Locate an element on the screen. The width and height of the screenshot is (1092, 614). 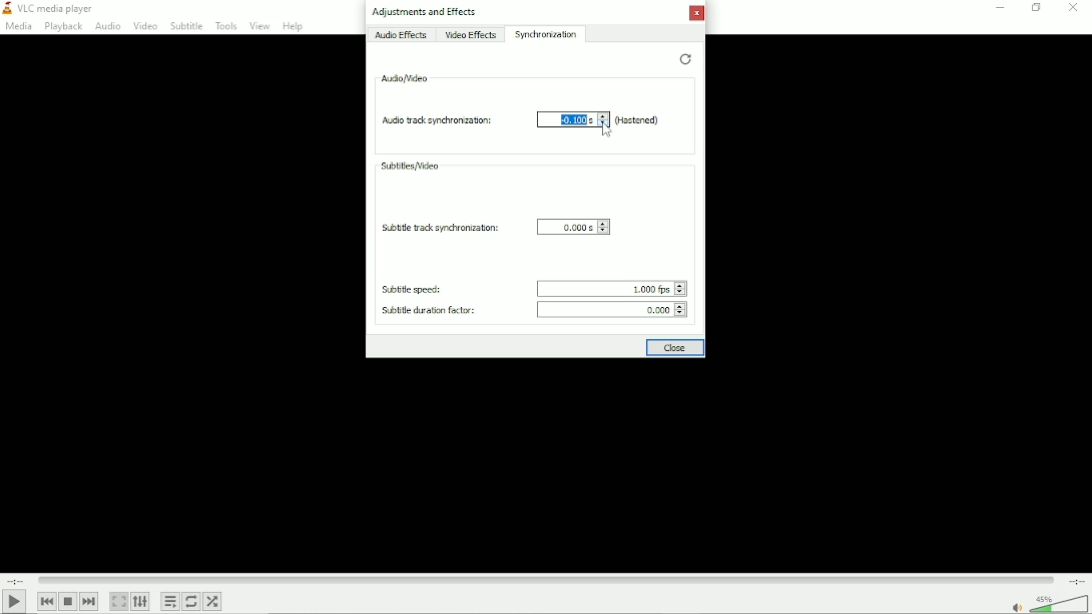
Play duration is located at coordinates (548, 580).